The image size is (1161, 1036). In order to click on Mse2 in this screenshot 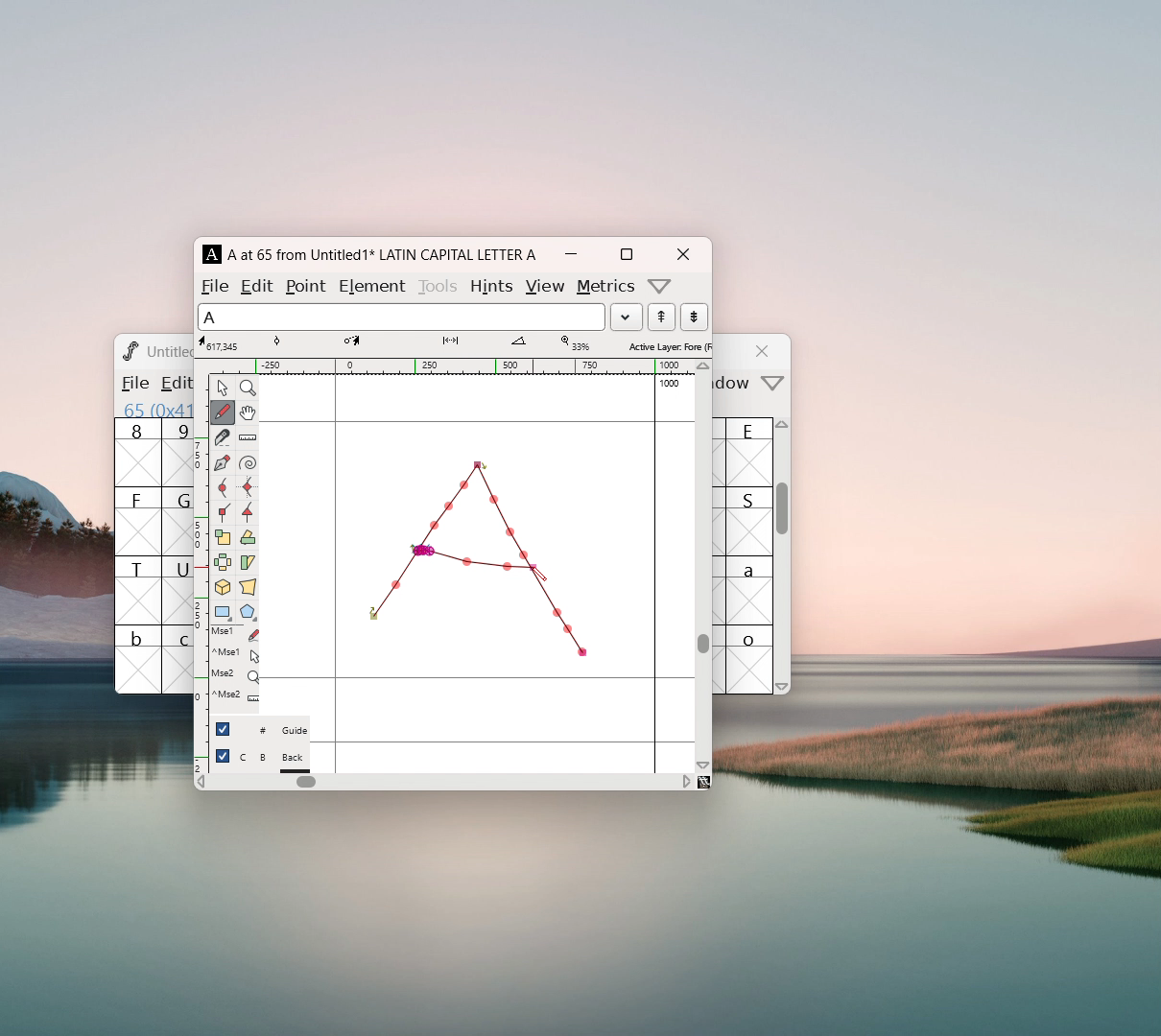, I will do `click(235, 674)`.